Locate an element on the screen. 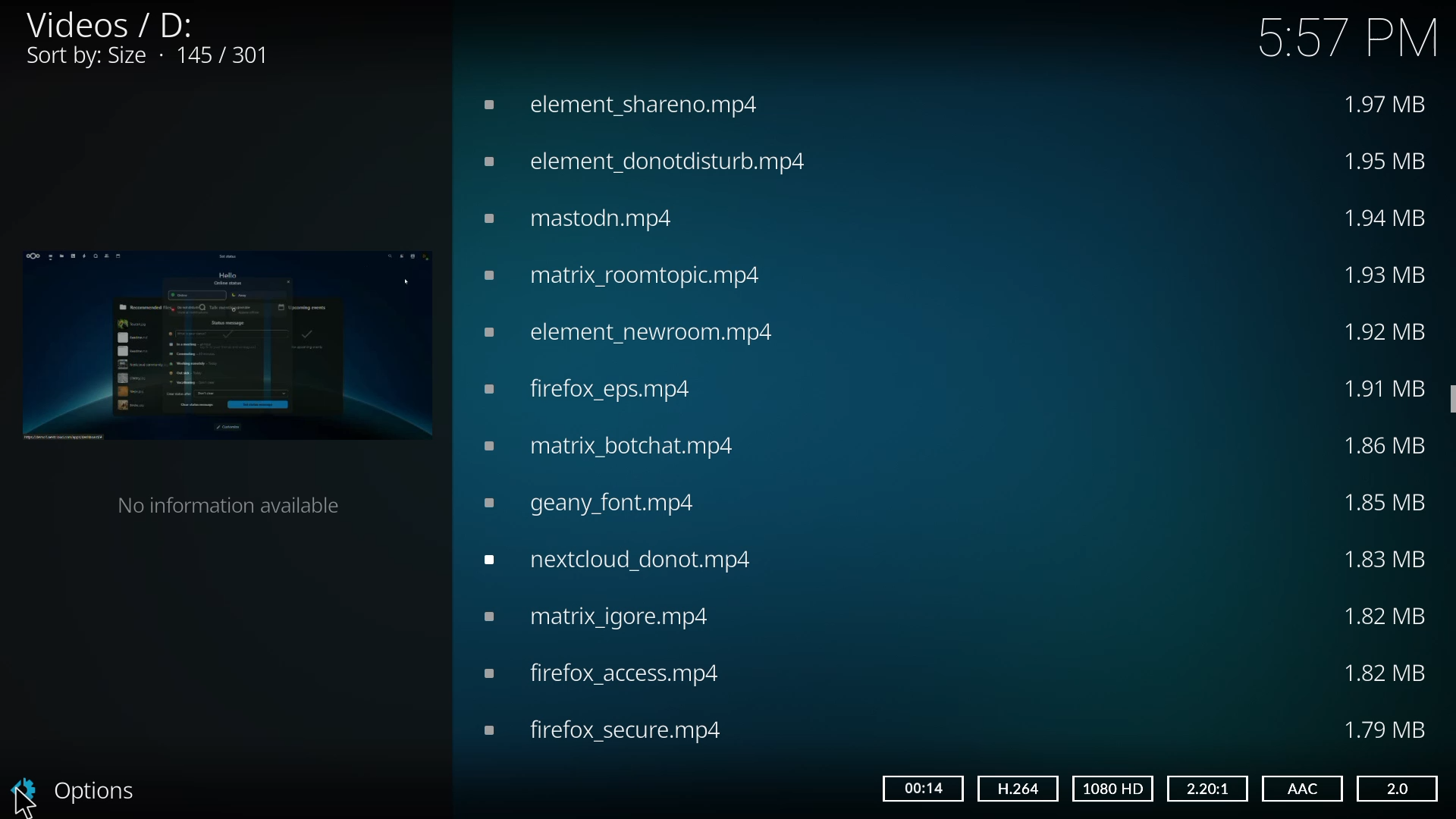 Image resolution: width=1456 pixels, height=819 pixels. size is located at coordinates (1384, 161).